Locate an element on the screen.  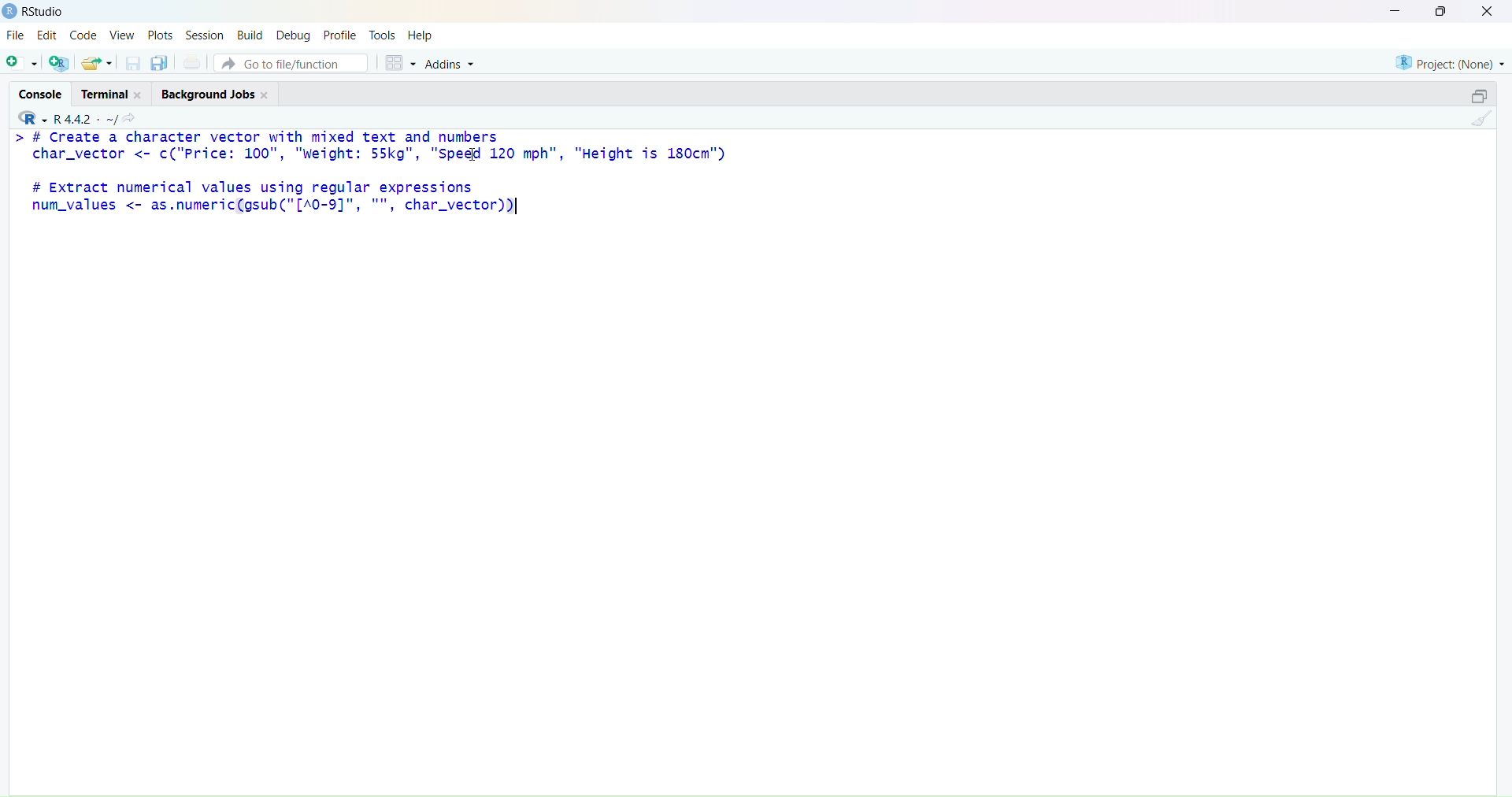
background jobs is located at coordinates (208, 95).